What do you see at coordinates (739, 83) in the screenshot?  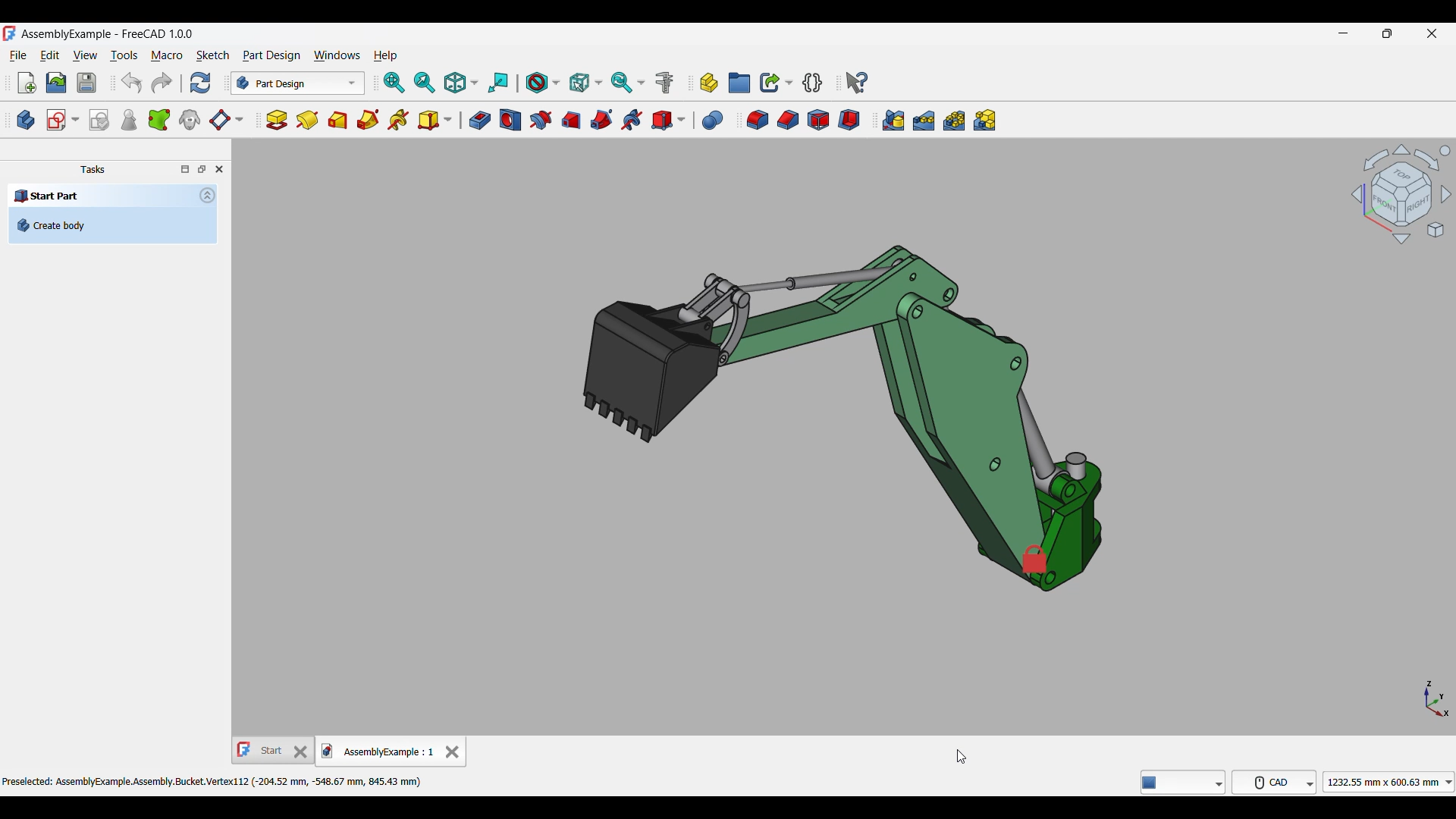 I see `Create group` at bounding box center [739, 83].